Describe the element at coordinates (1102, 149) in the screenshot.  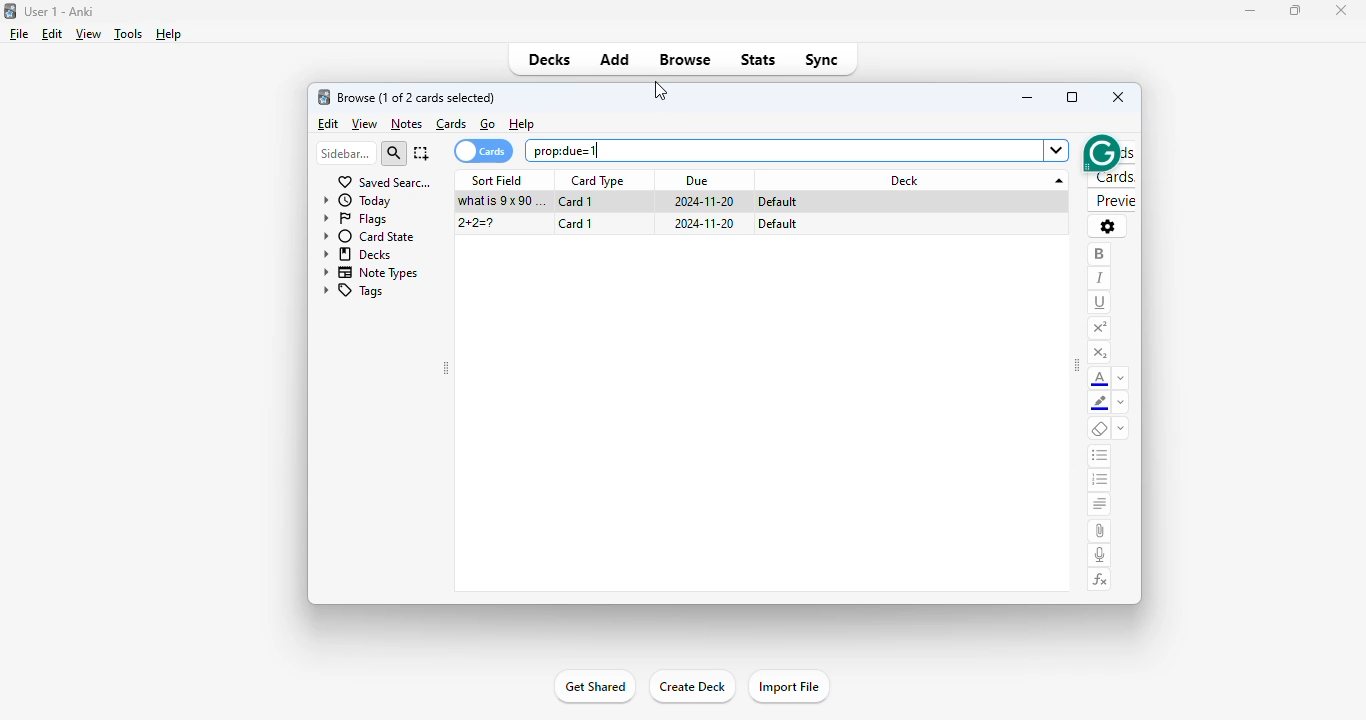
I see `grammarly extension` at that location.